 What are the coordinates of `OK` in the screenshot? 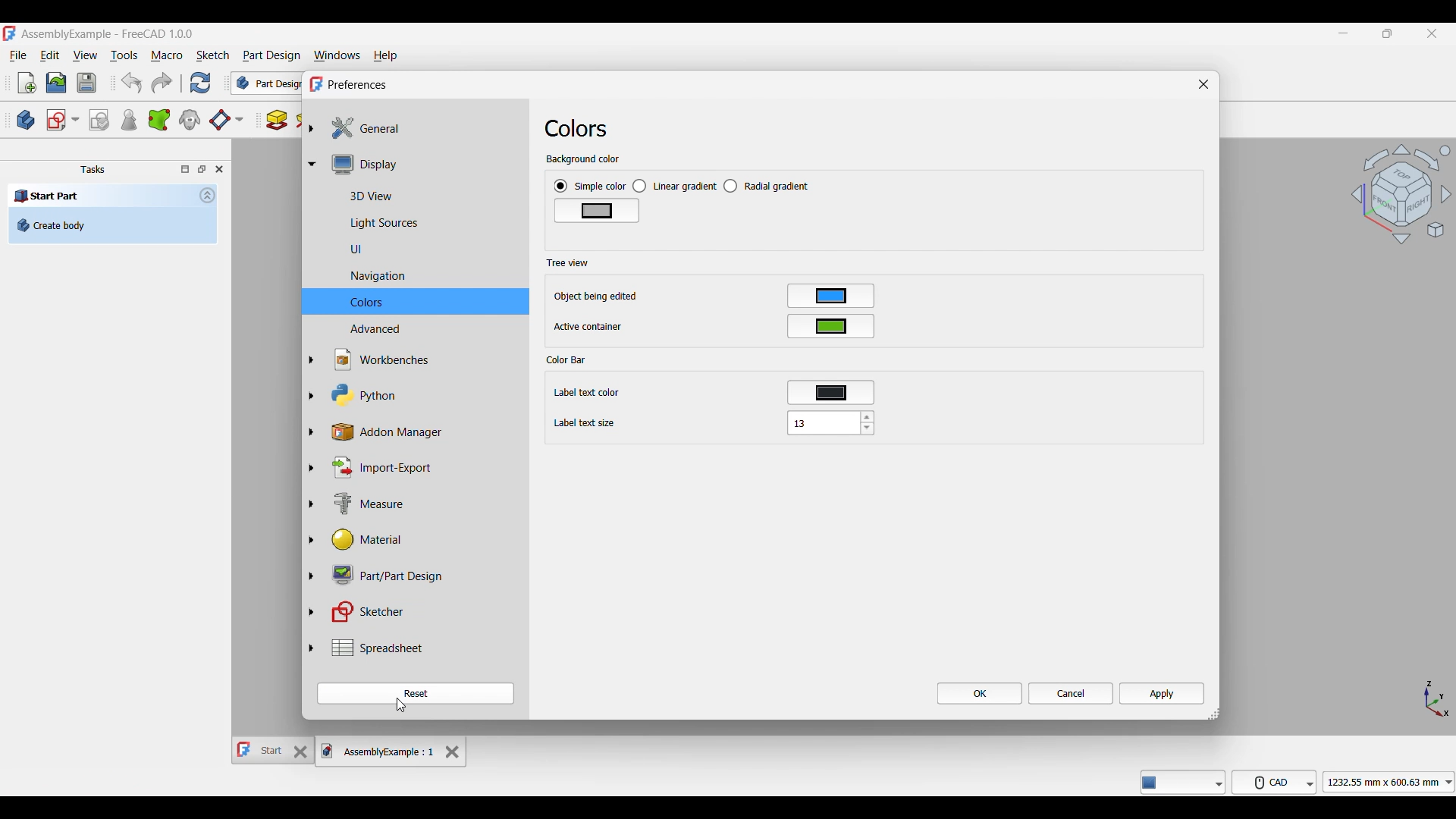 It's located at (981, 693).